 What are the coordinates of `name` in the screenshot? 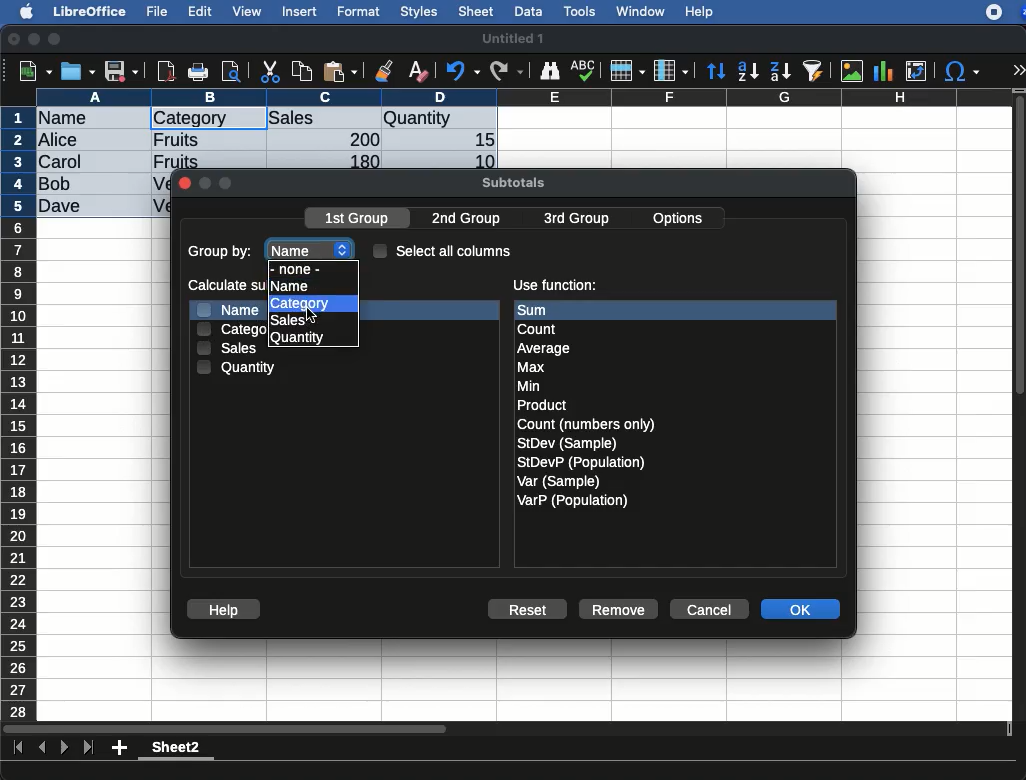 It's located at (312, 246).